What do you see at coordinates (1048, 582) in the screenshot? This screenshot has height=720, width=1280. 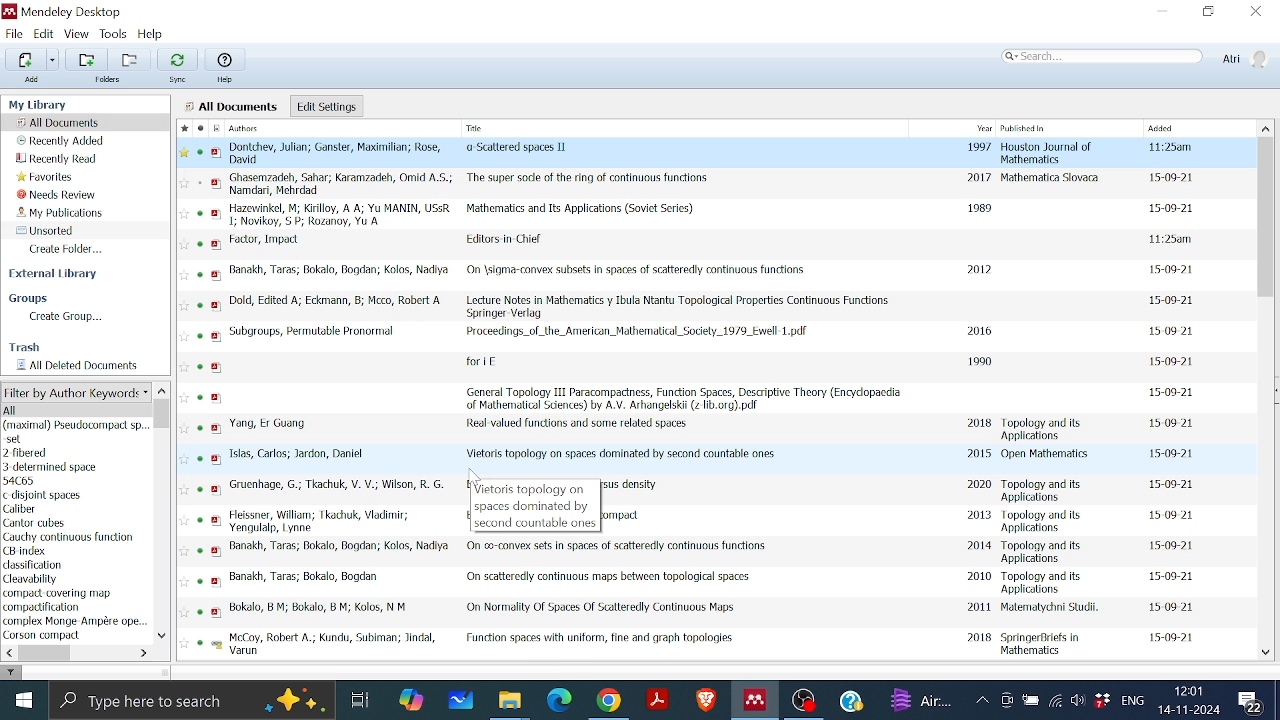 I see `Published in` at bounding box center [1048, 582].